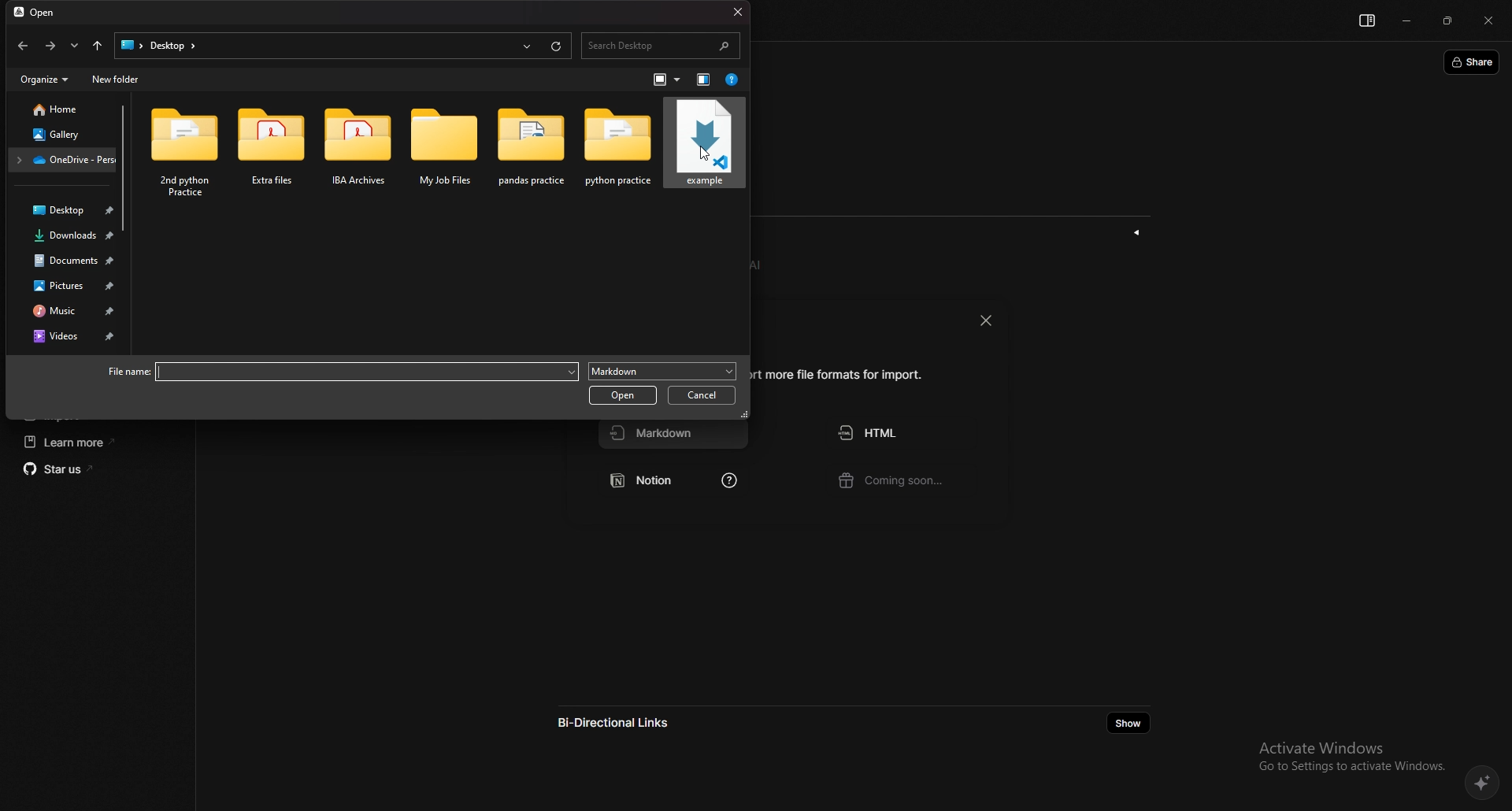 This screenshot has height=811, width=1512. What do you see at coordinates (699, 396) in the screenshot?
I see `cancel` at bounding box center [699, 396].